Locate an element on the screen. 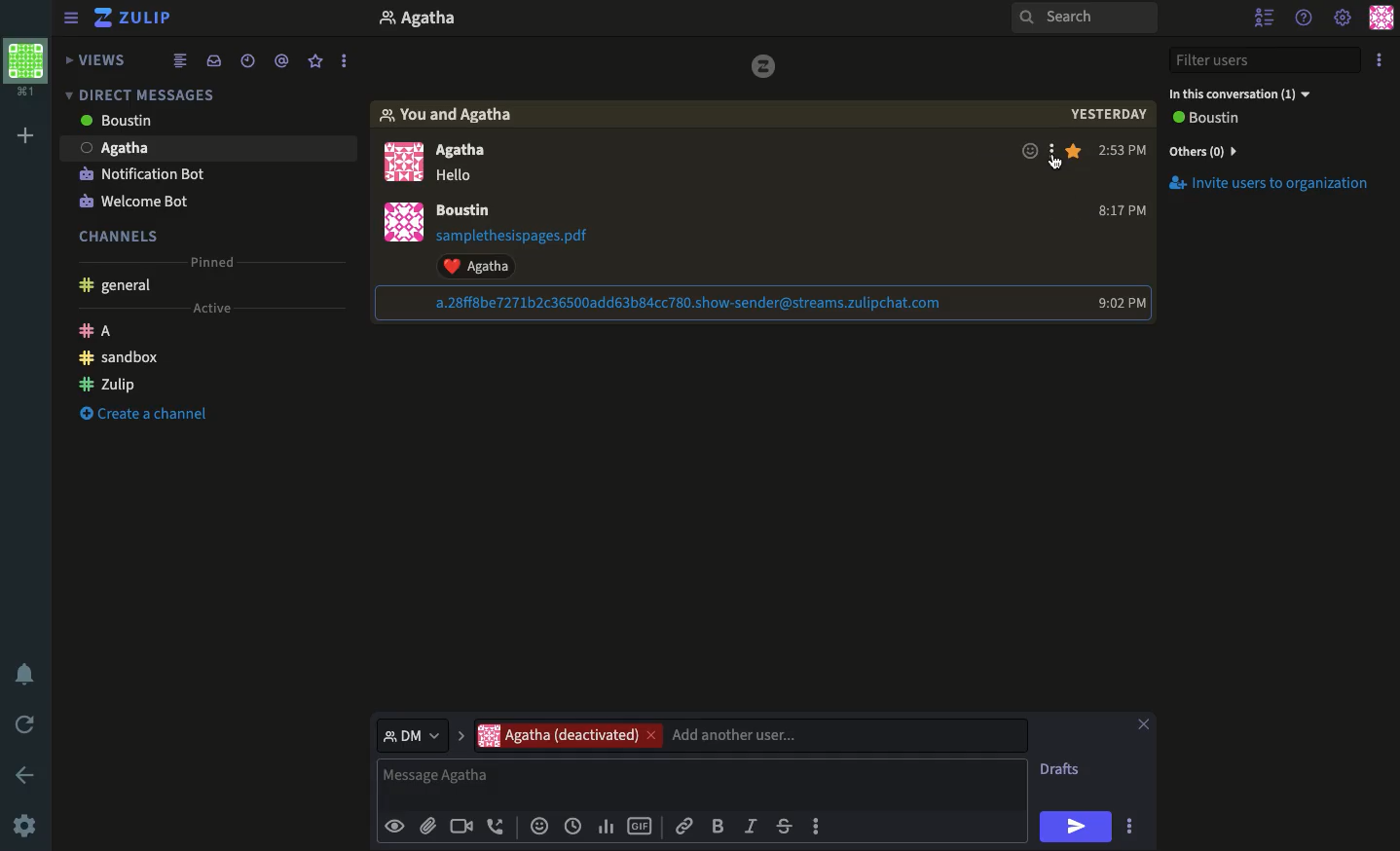  Notification bot is located at coordinates (142, 176).